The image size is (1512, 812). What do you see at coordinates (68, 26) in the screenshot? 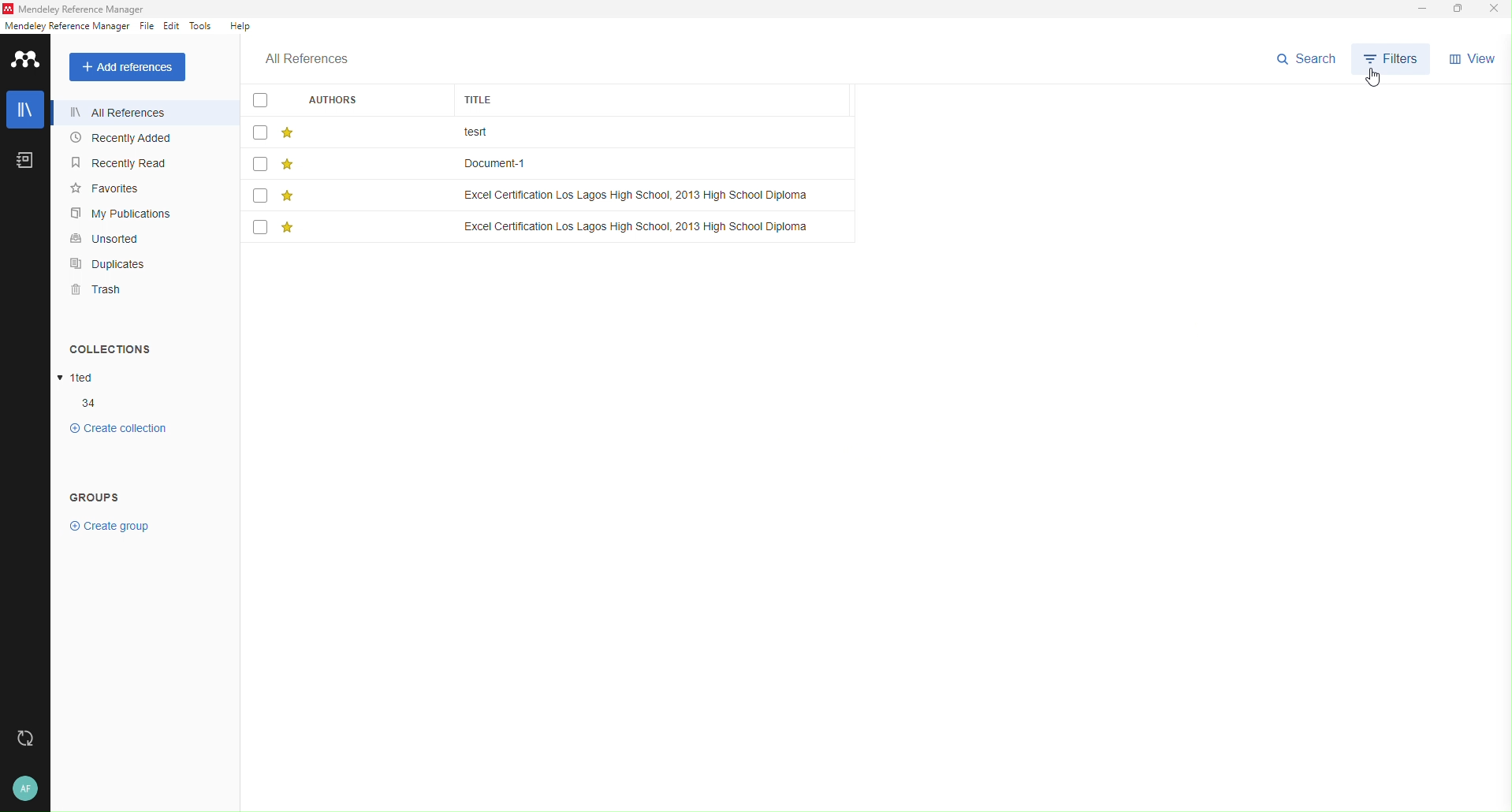
I see `reference manager` at bounding box center [68, 26].